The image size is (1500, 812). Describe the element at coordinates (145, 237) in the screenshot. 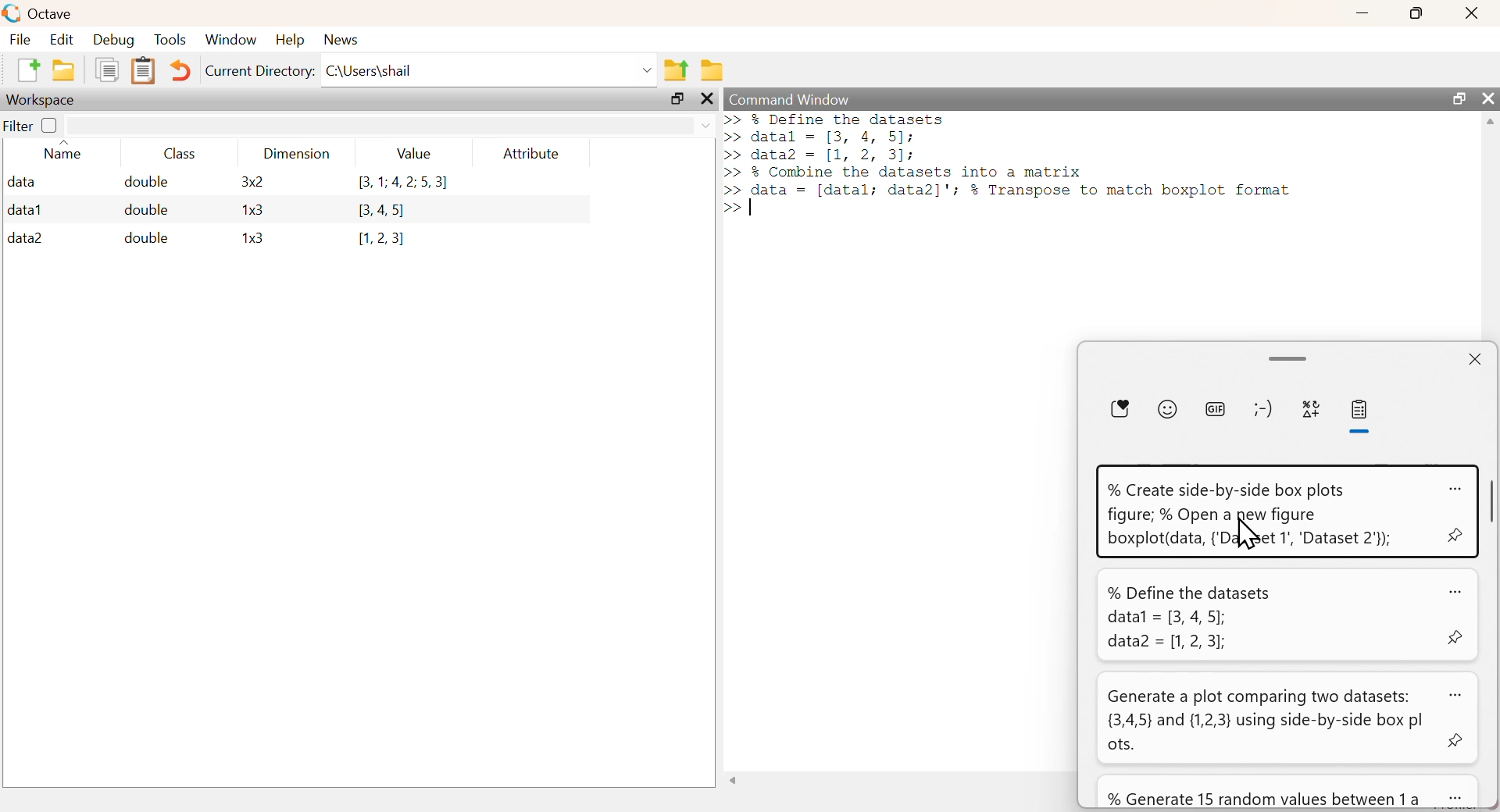

I see `double` at that location.